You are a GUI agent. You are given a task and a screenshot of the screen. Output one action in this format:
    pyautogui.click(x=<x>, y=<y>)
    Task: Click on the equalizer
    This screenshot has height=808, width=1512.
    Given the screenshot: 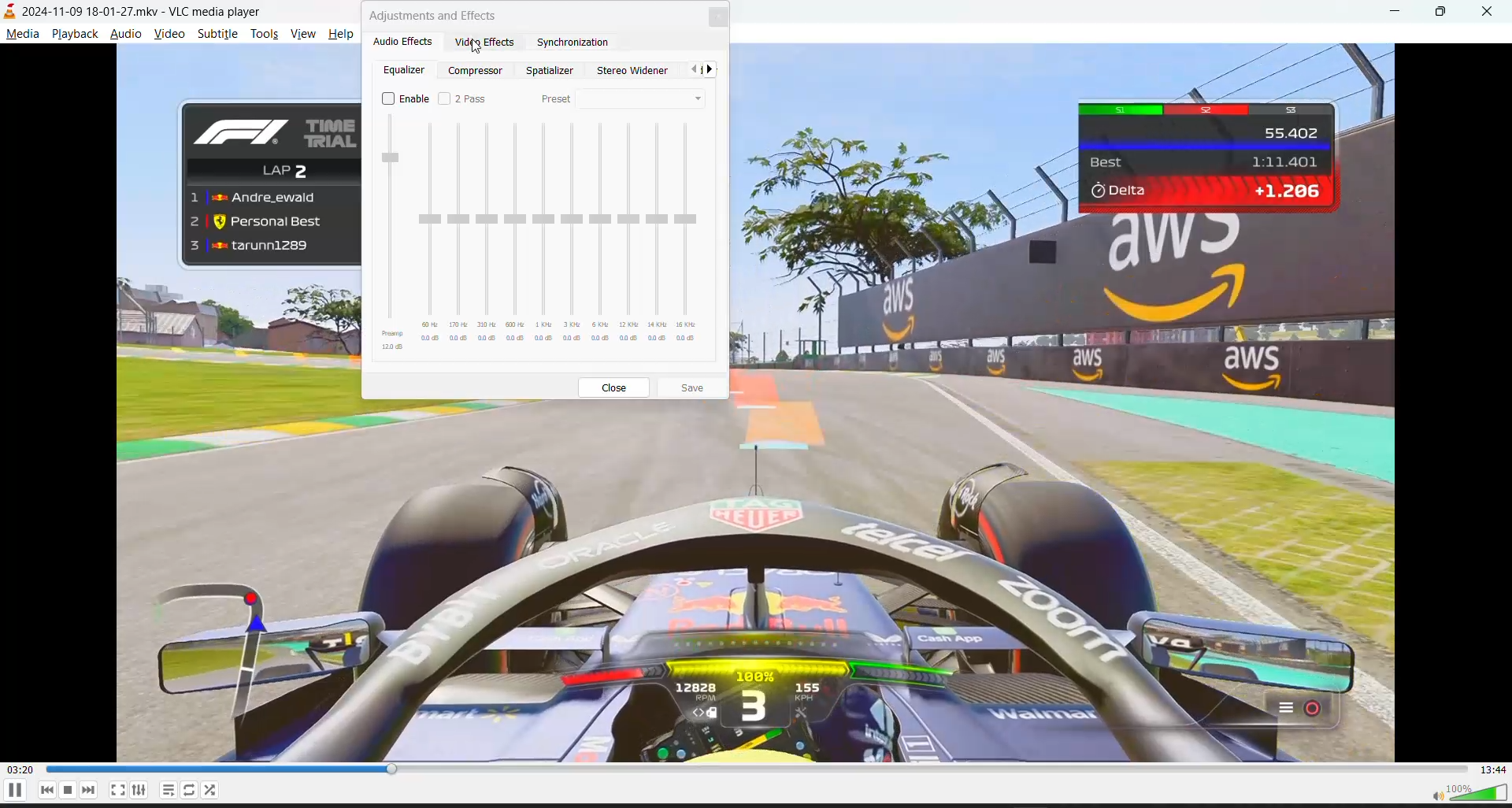 What is the action you would take?
    pyautogui.click(x=403, y=70)
    